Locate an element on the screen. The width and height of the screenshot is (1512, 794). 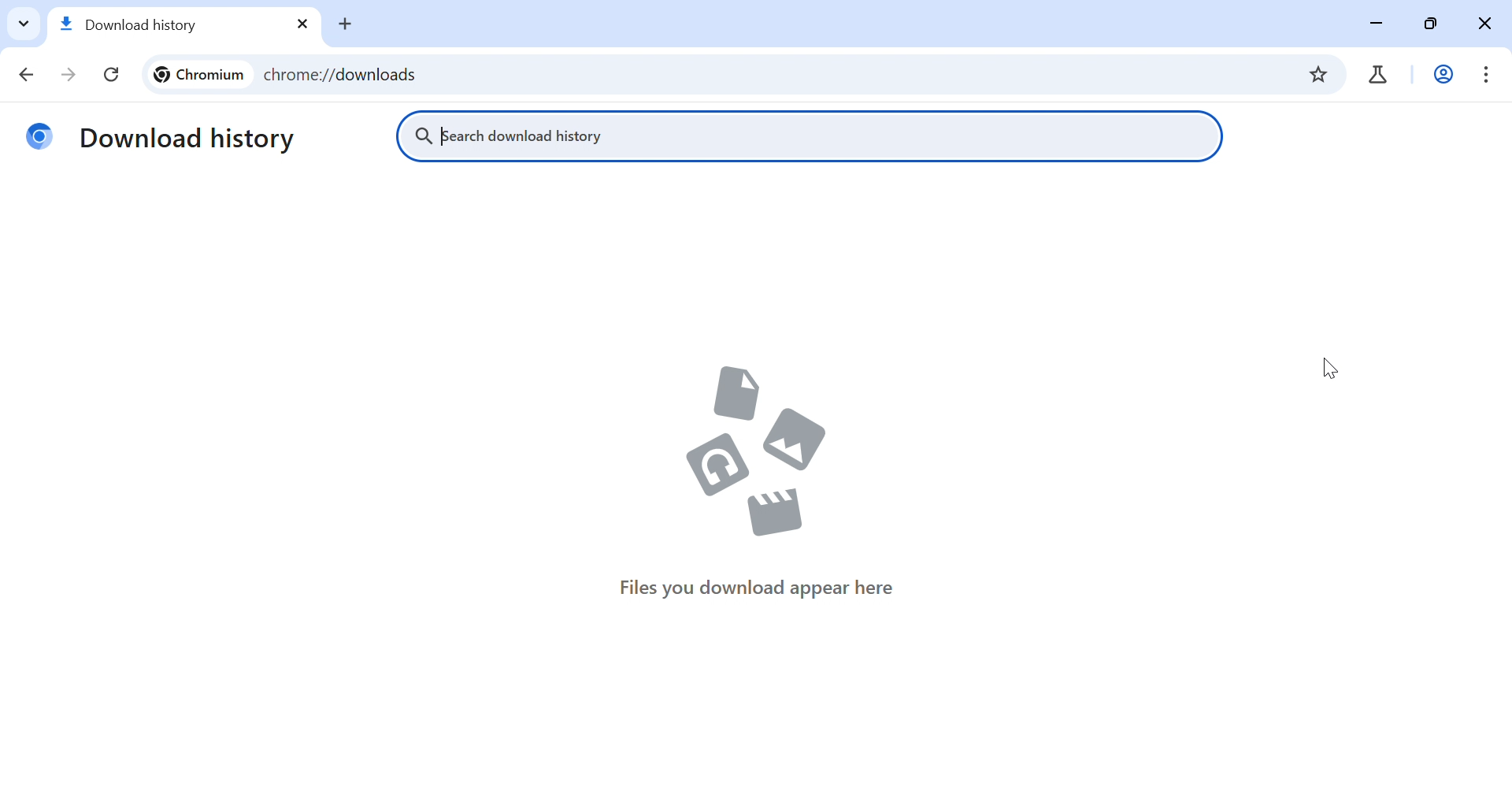
Download history is located at coordinates (192, 139).